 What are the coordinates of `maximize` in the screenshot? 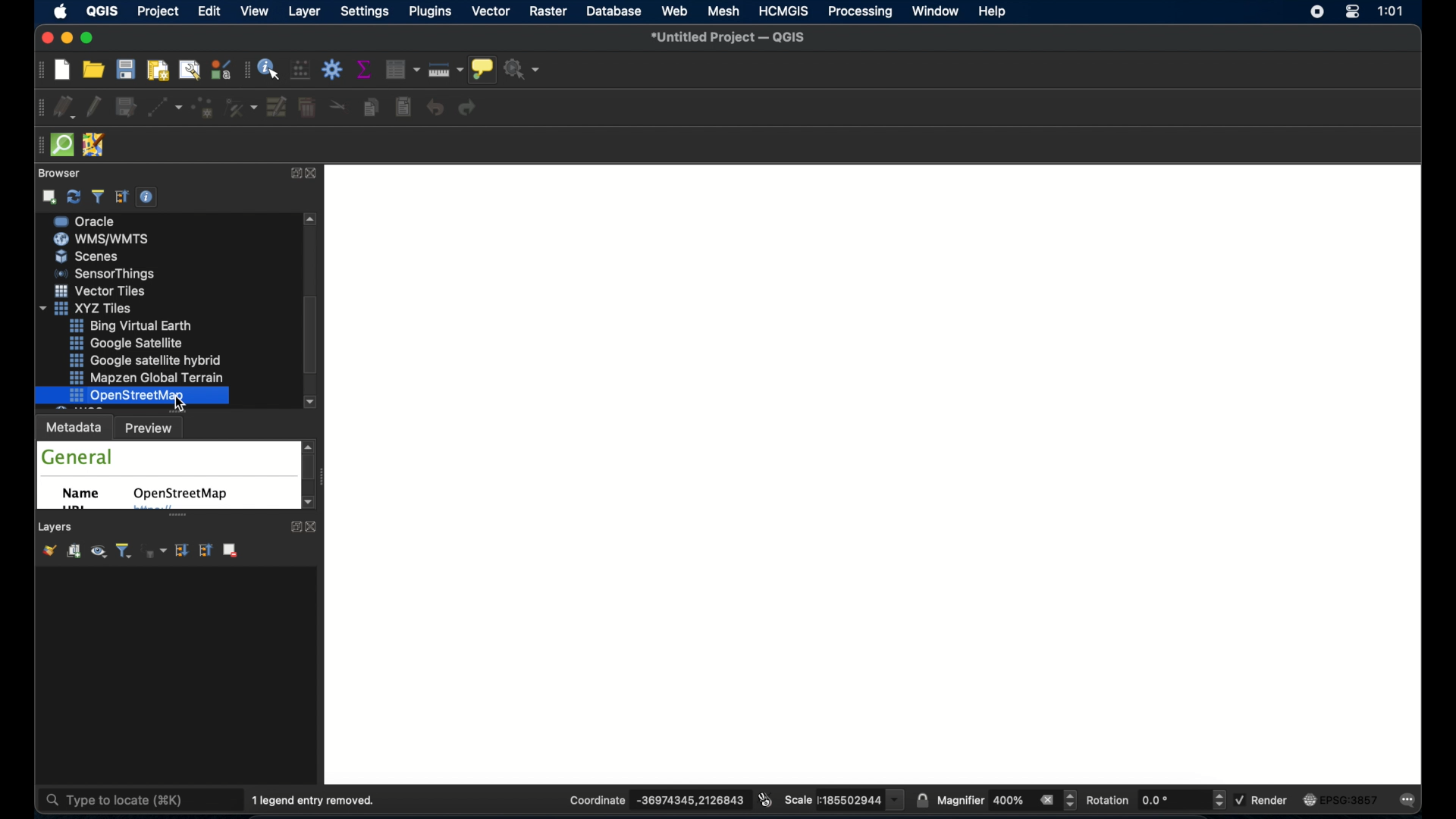 It's located at (89, 39).